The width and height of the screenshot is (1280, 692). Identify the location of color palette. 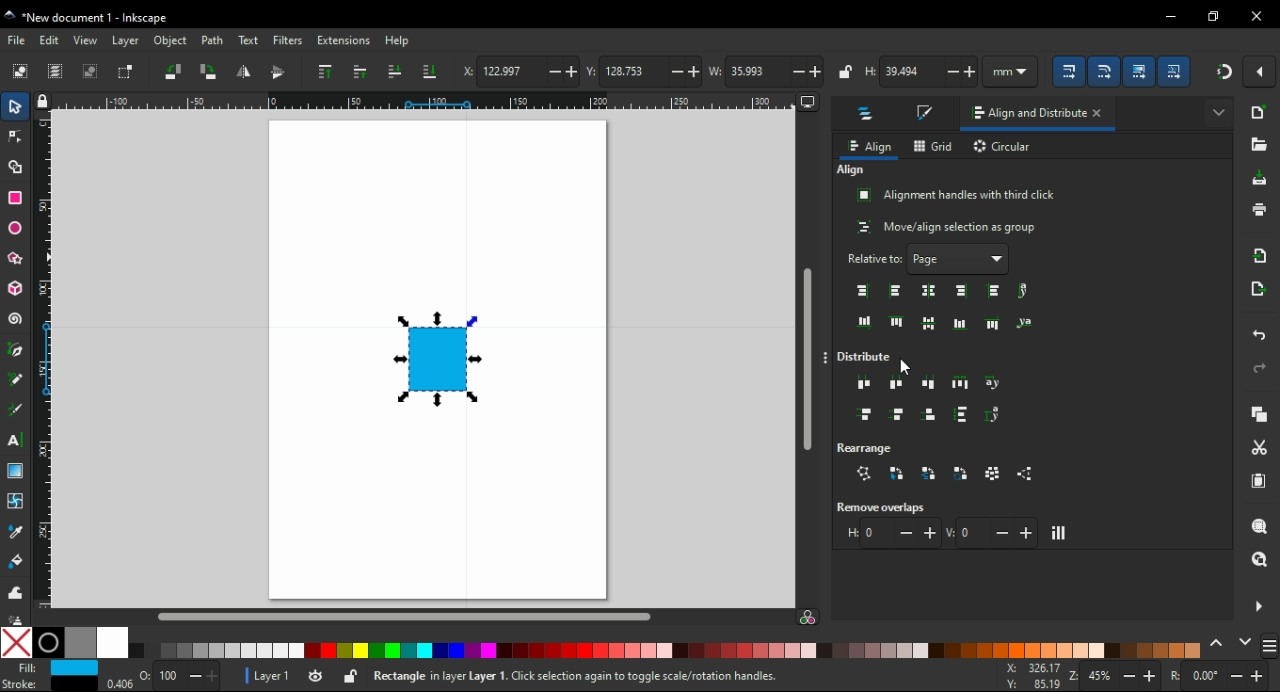
(668, 651).